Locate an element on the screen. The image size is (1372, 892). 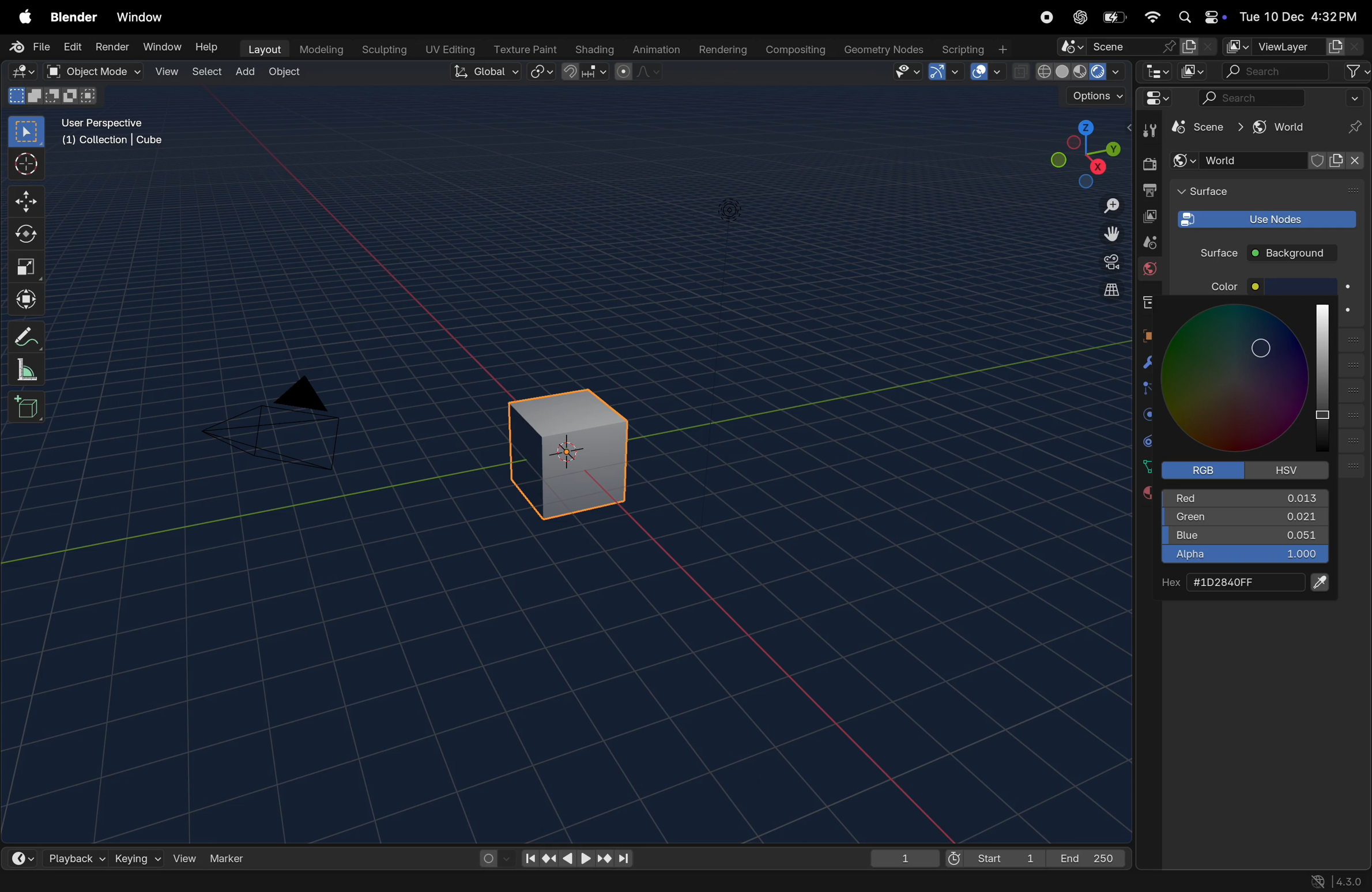
Rgb is located at coordinates (1210, 470).